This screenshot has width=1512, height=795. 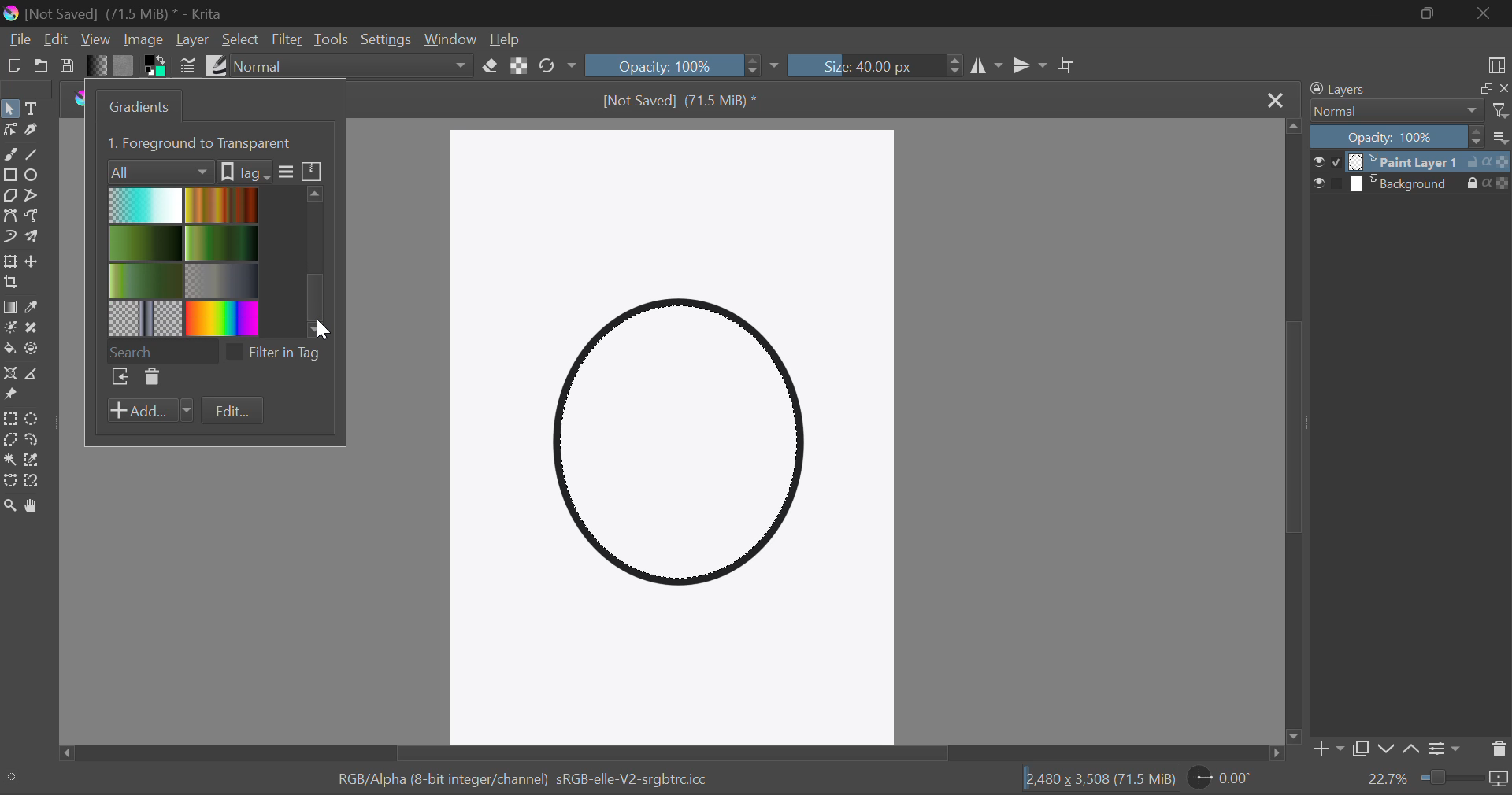 I want to click on Edit, so click(x=55, y=38).